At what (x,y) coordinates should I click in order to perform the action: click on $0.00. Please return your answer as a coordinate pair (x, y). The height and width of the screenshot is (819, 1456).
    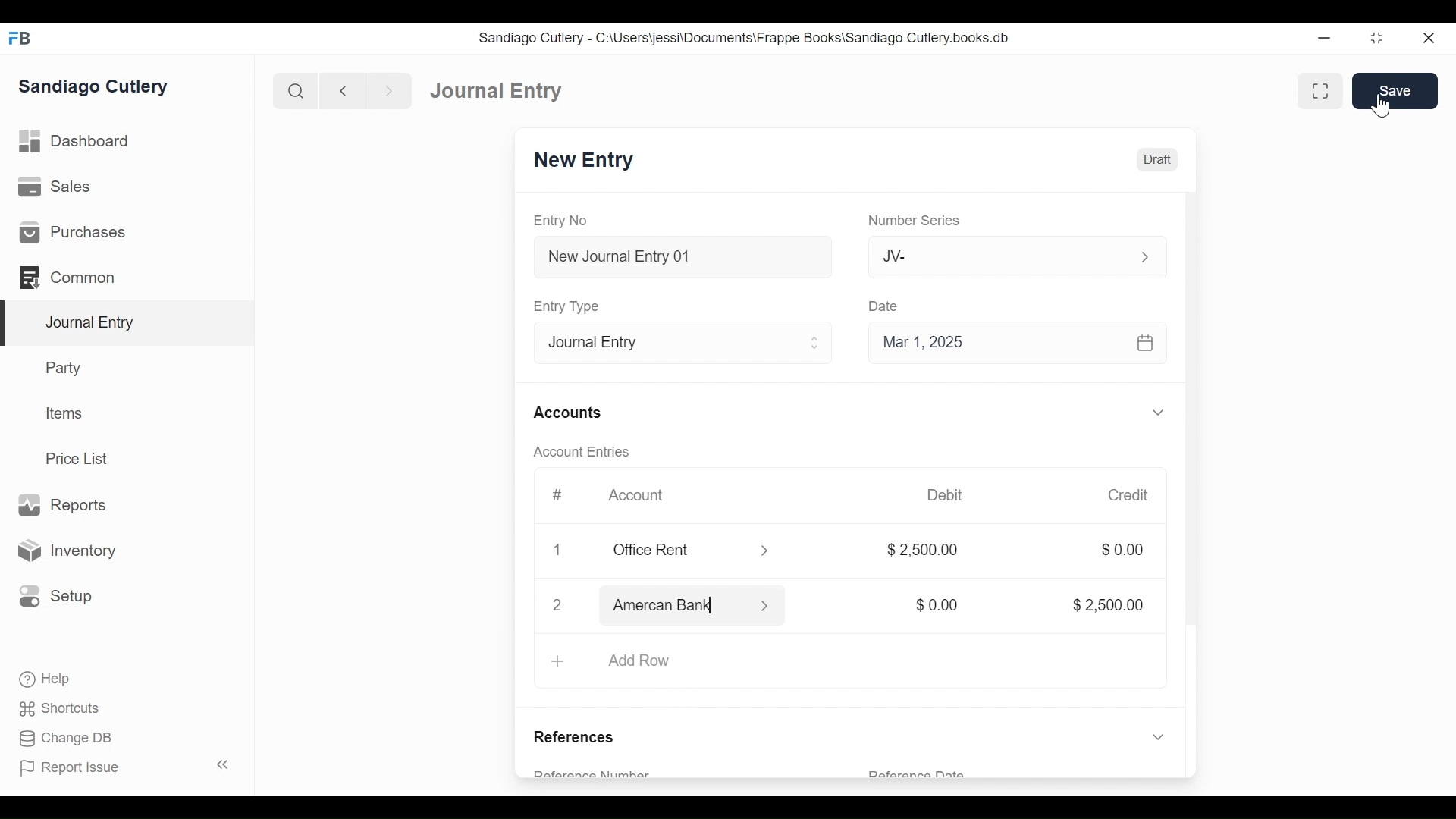
    Looking at the image, I should click on (1122, 551).